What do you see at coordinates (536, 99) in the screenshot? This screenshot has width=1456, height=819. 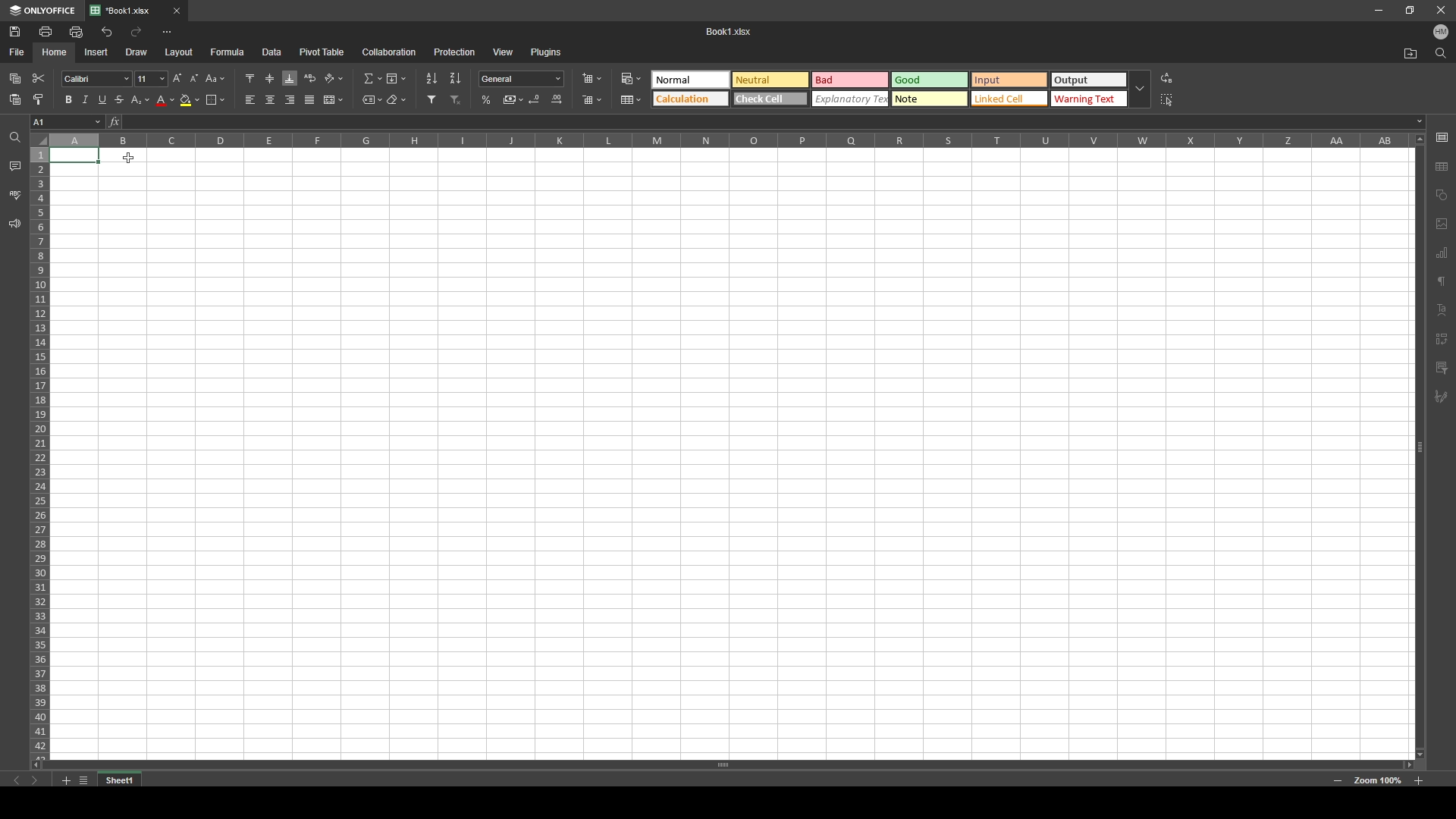 I see `decrease decimal` at bounding box center [536, 99].